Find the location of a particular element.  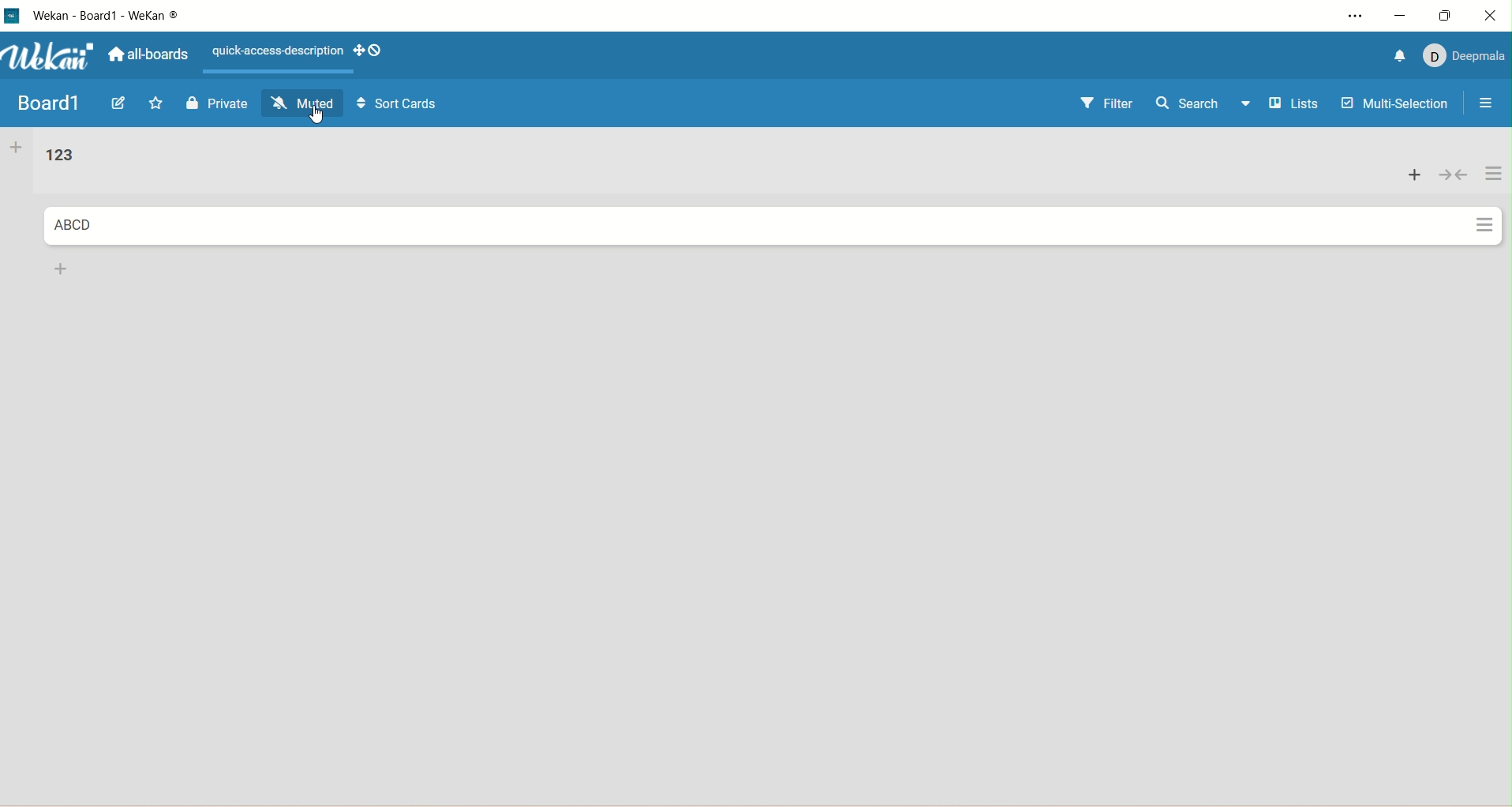

multi-selection is located at coordinates (1396, 106).